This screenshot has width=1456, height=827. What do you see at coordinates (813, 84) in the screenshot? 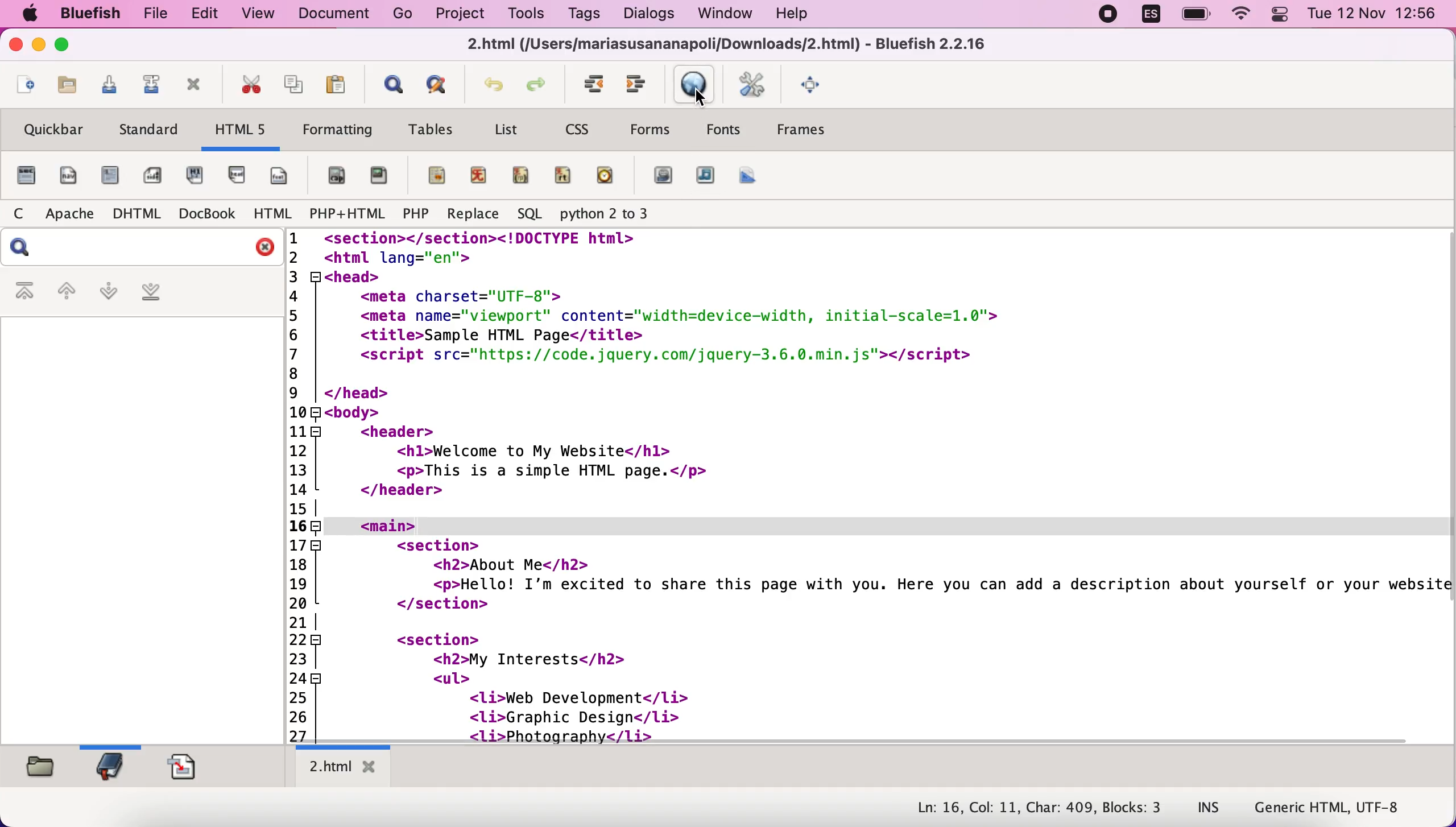
I see `full screen` at bounding box center [813, 84].